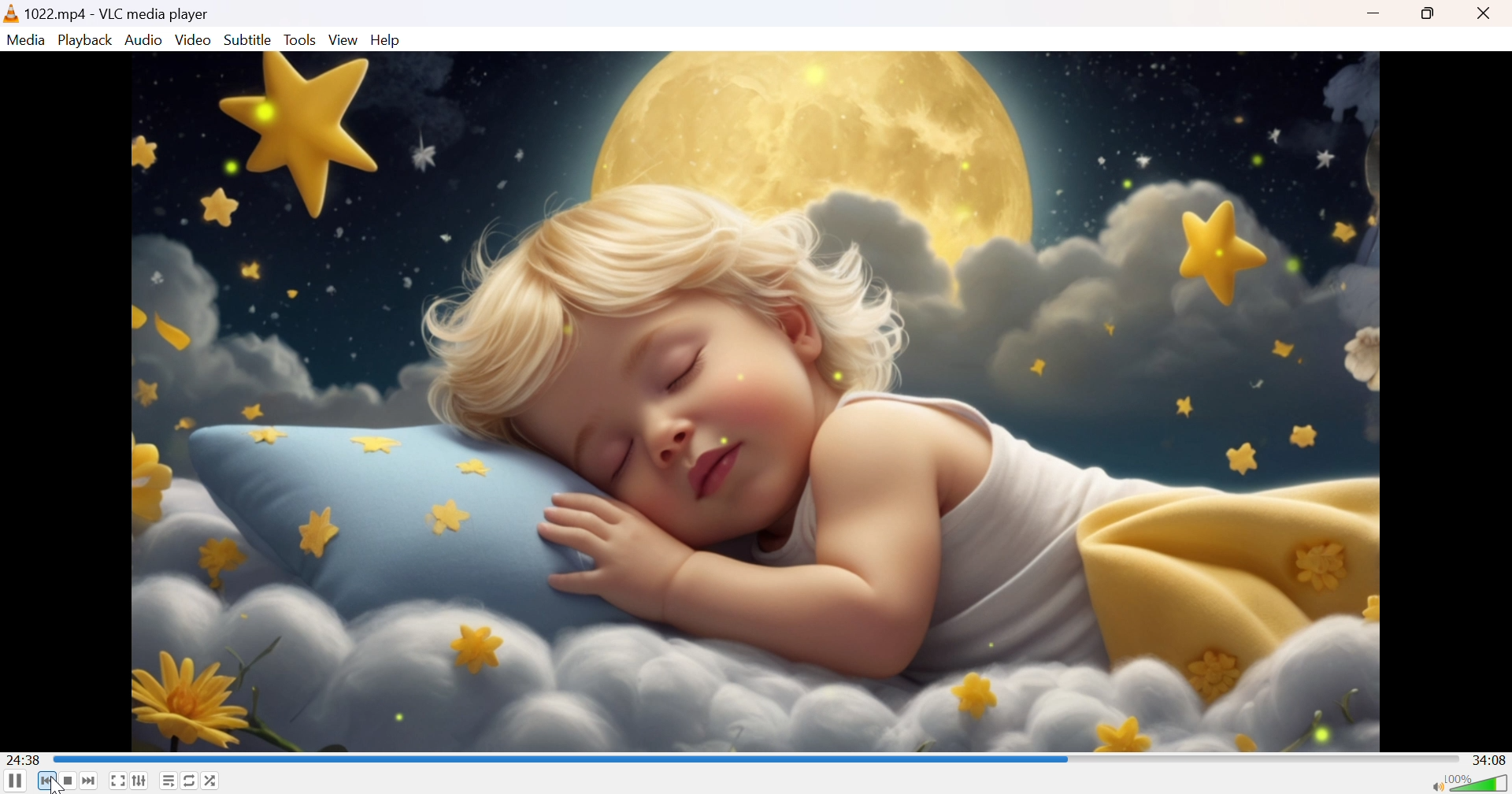 Image resolution: width=1512 pixels, height=794 pixels. I want to click on Toggle the video in fullscreen, so click(117, 781).